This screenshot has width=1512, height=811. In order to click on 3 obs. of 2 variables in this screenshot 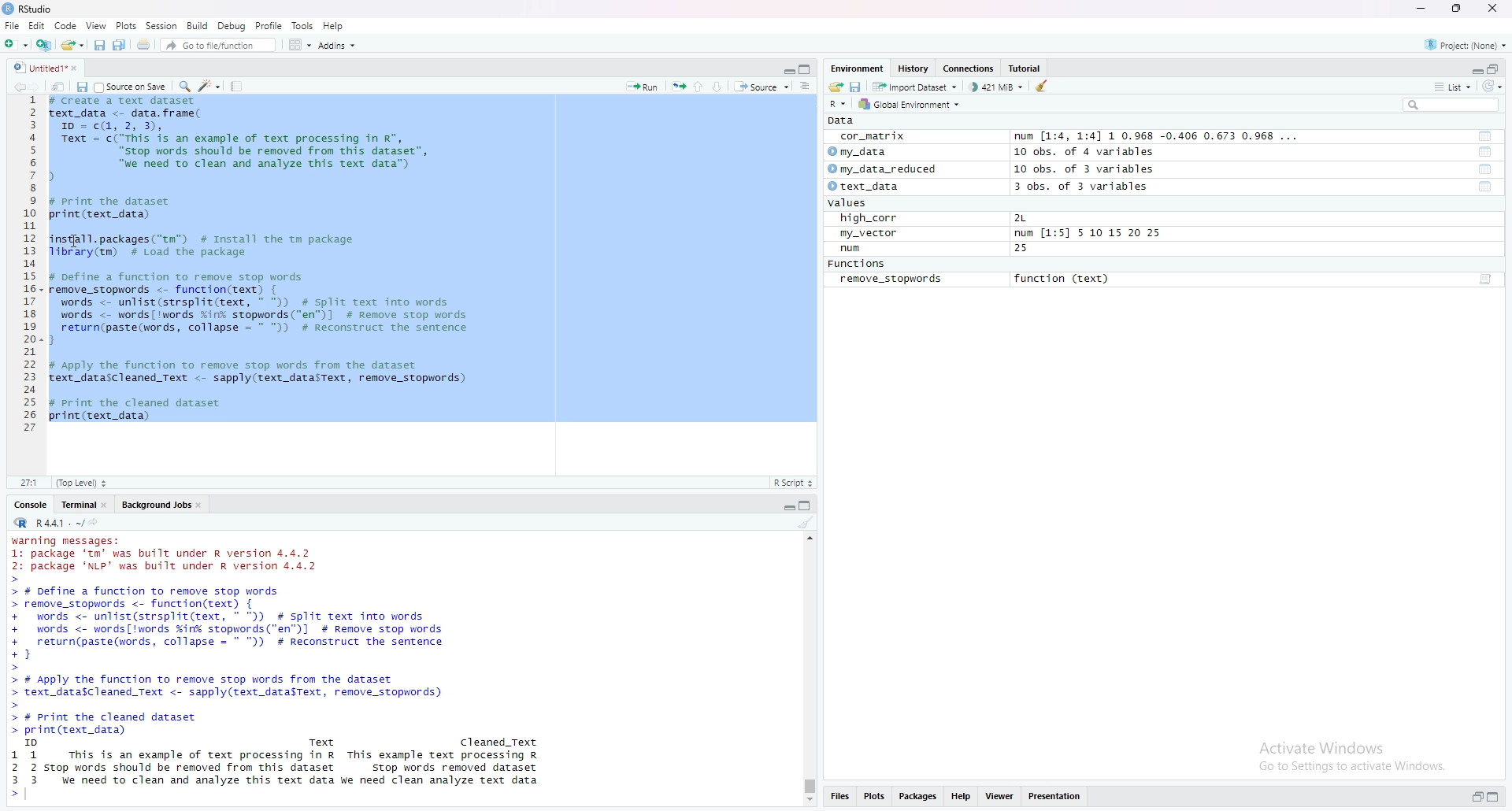, I will do `click(1083, 186)`.